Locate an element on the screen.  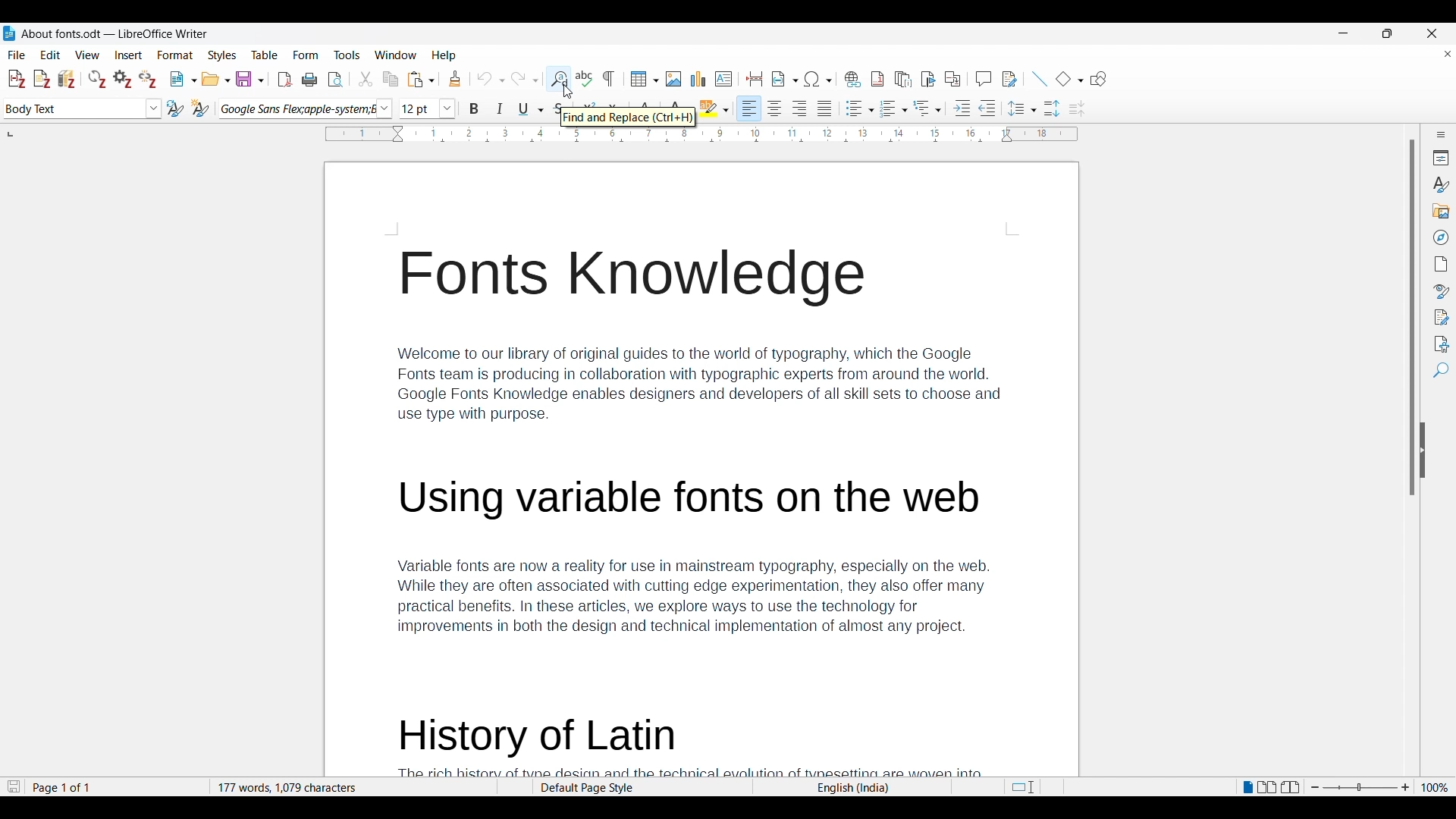
Insert cross-reference is located at coordinates (952, 78).